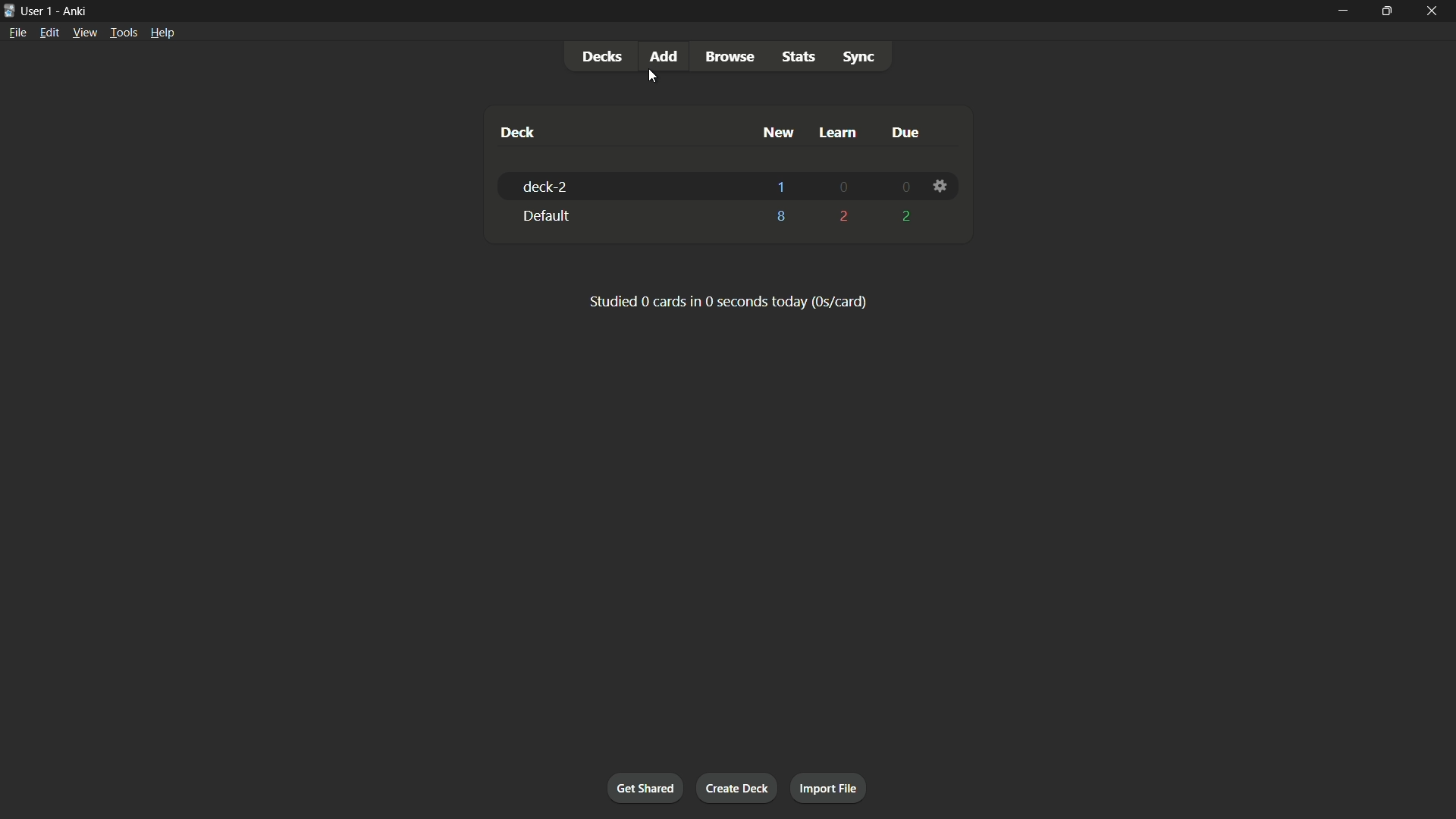 Image resolution: width=1456 pixels, height=819 pixels. I want to click on app name, so click(75, 11).